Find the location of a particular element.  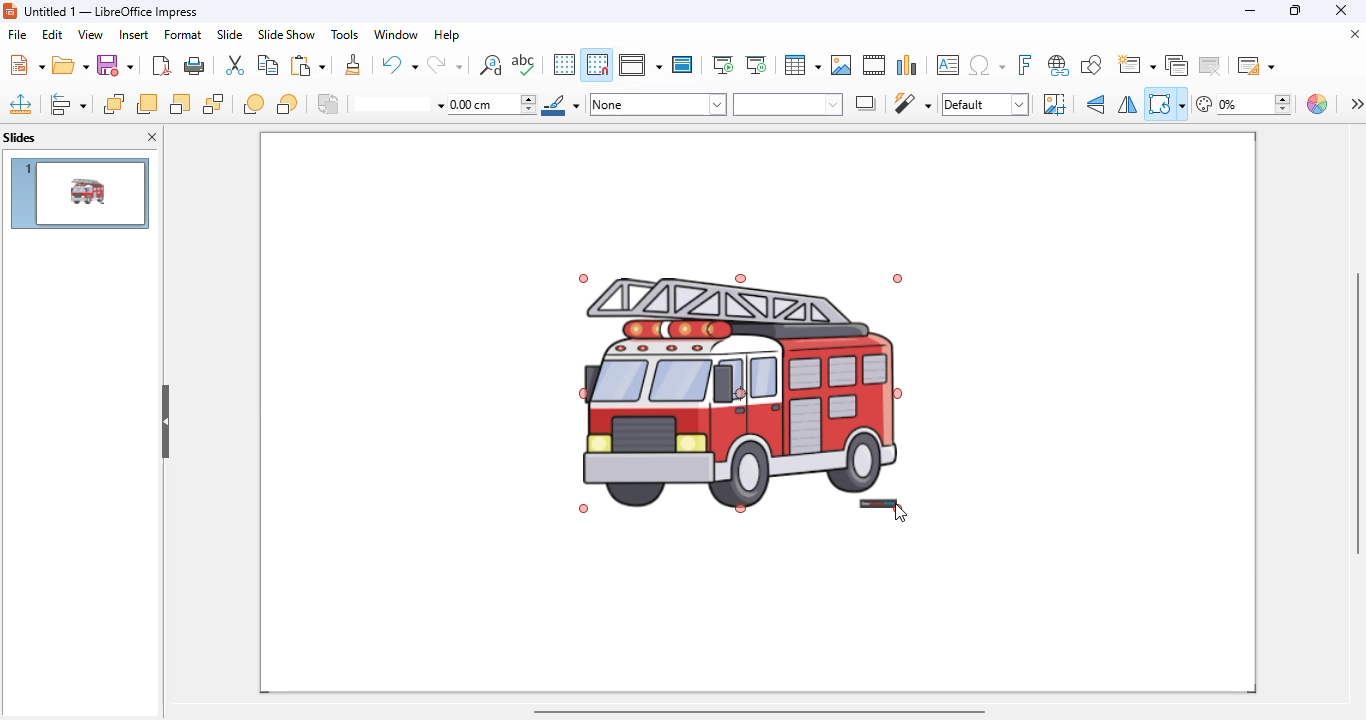

image mode is located at coordinates (985, 105).